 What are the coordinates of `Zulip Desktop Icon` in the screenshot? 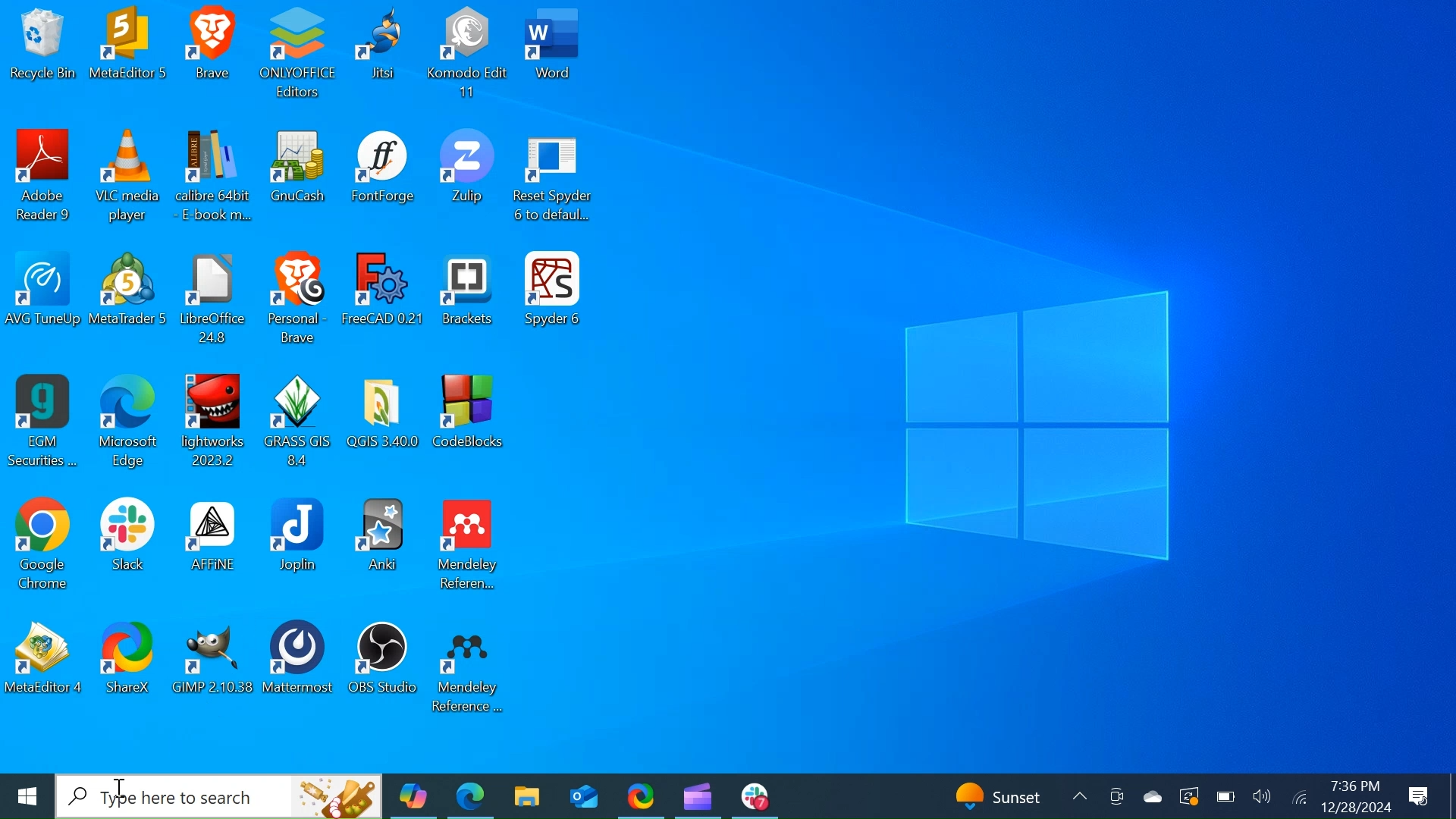 It's located at (466, 180).